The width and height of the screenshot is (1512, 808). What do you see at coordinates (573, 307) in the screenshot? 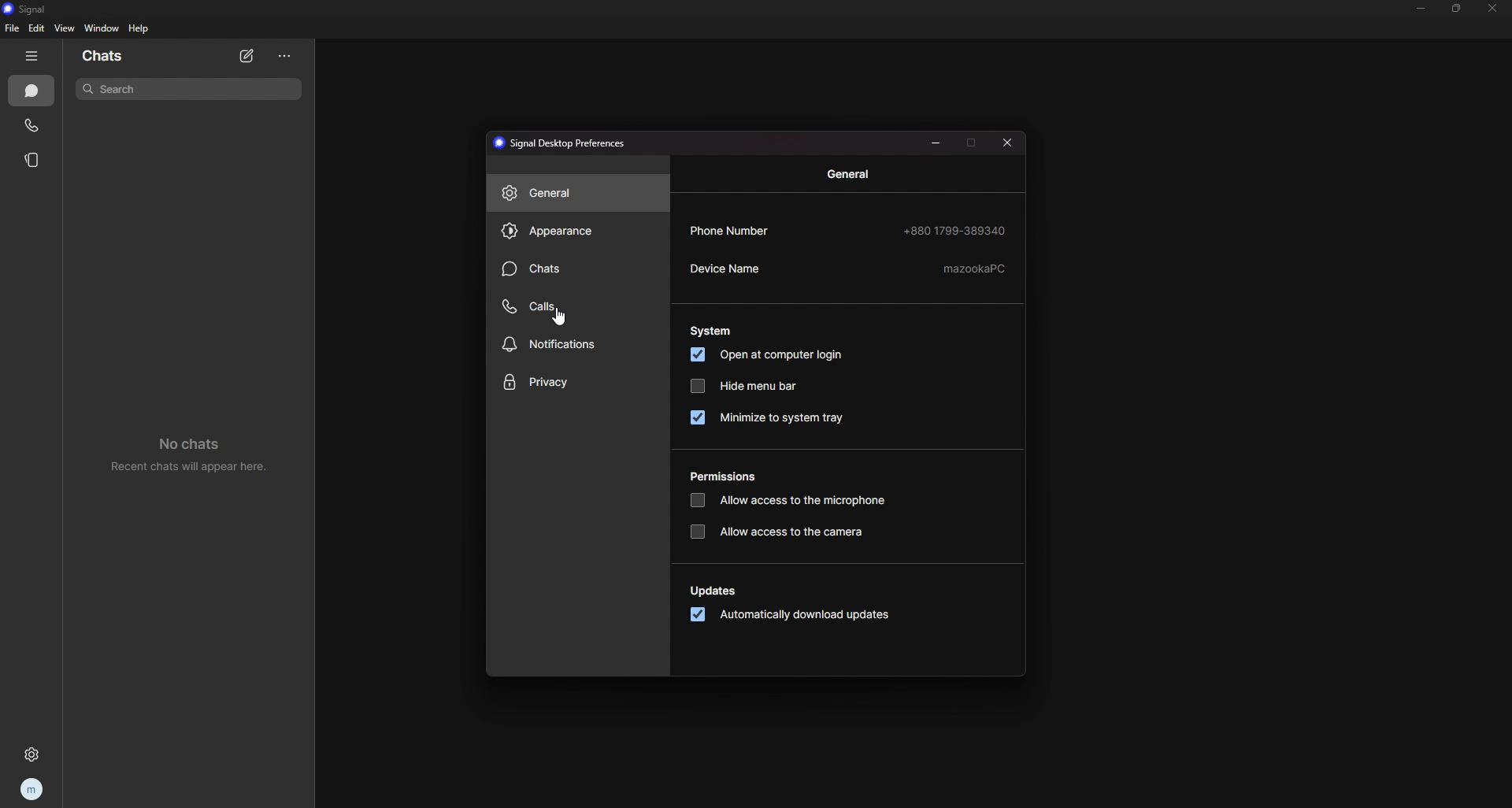
I see `calls` at bounding box center [573, 307].